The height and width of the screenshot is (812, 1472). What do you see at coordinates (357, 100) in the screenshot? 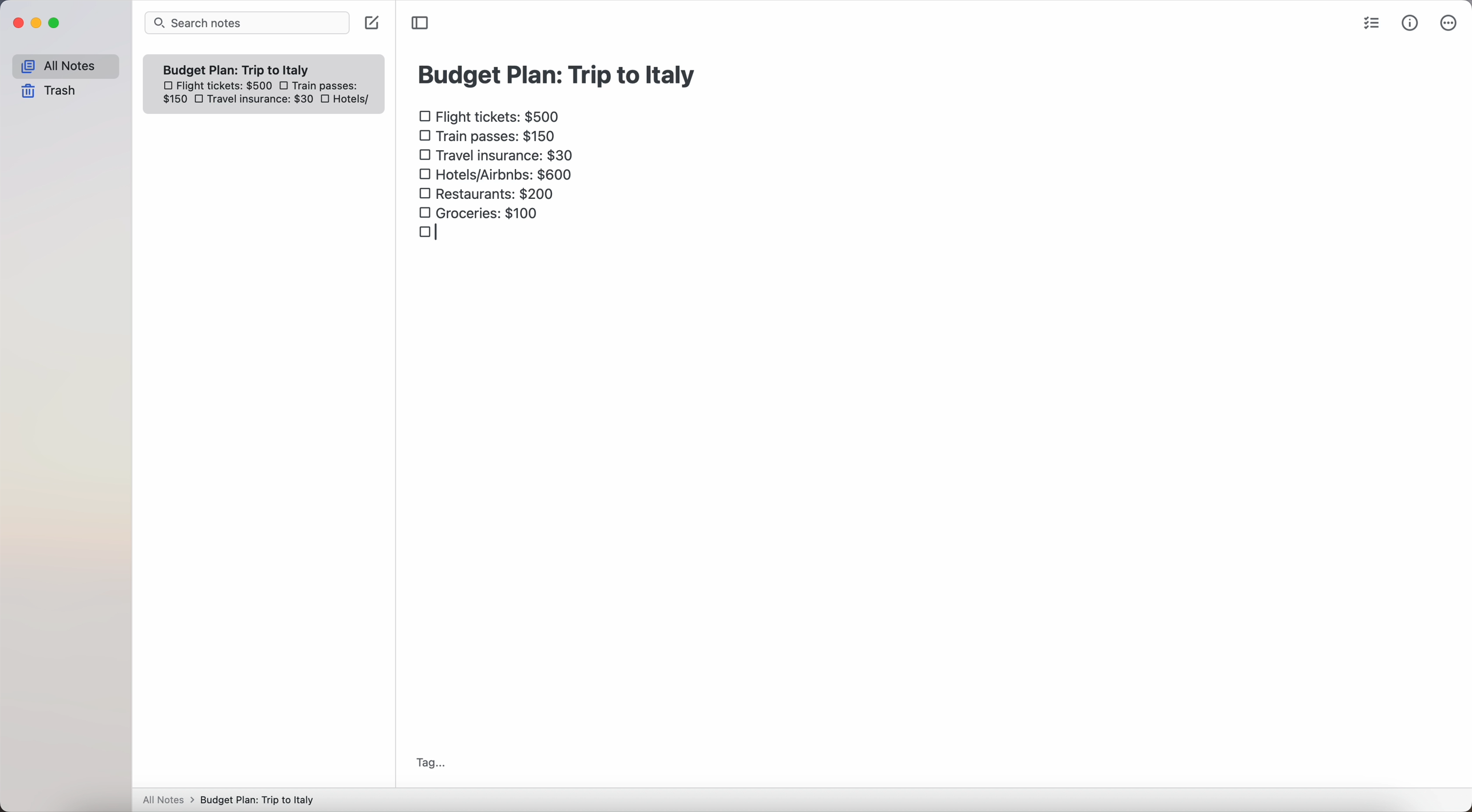
I see `hotels` at bounding box center [357, 100].